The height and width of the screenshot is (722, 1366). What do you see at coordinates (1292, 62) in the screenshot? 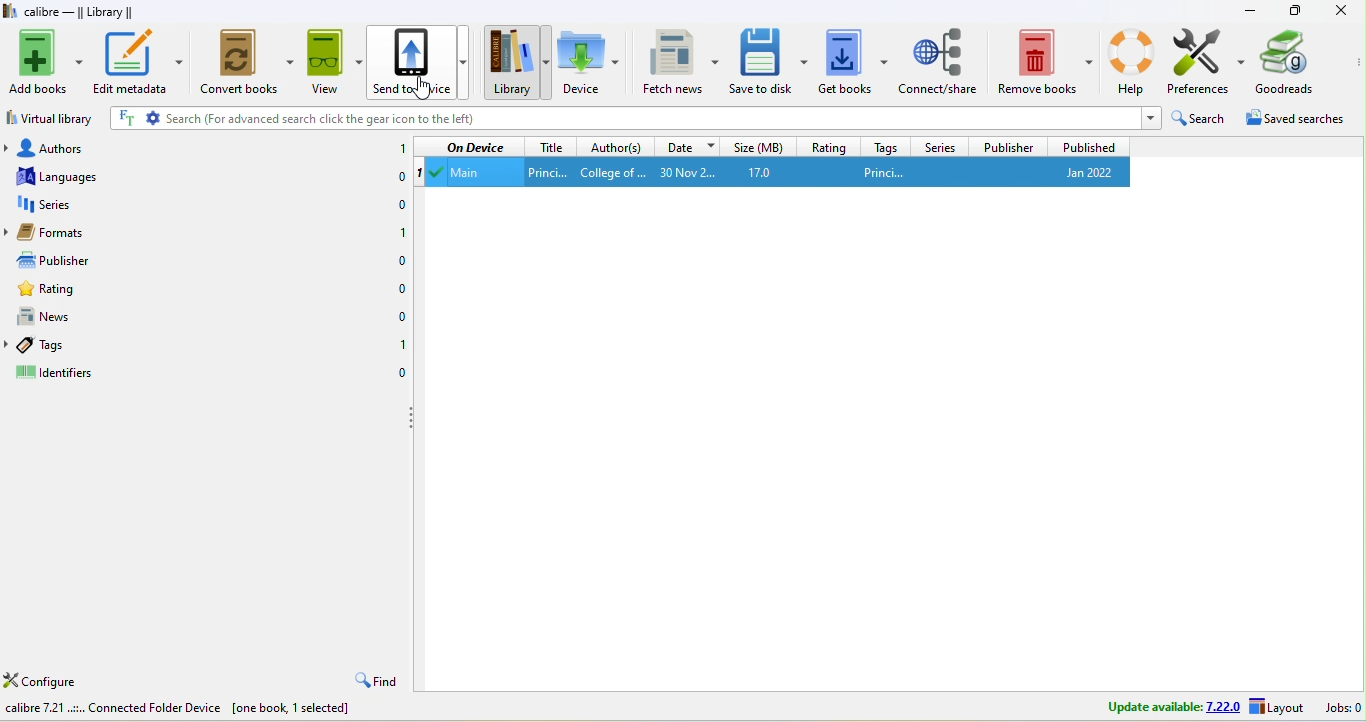
I see `goodreads` at bounding box center [1292, 62].